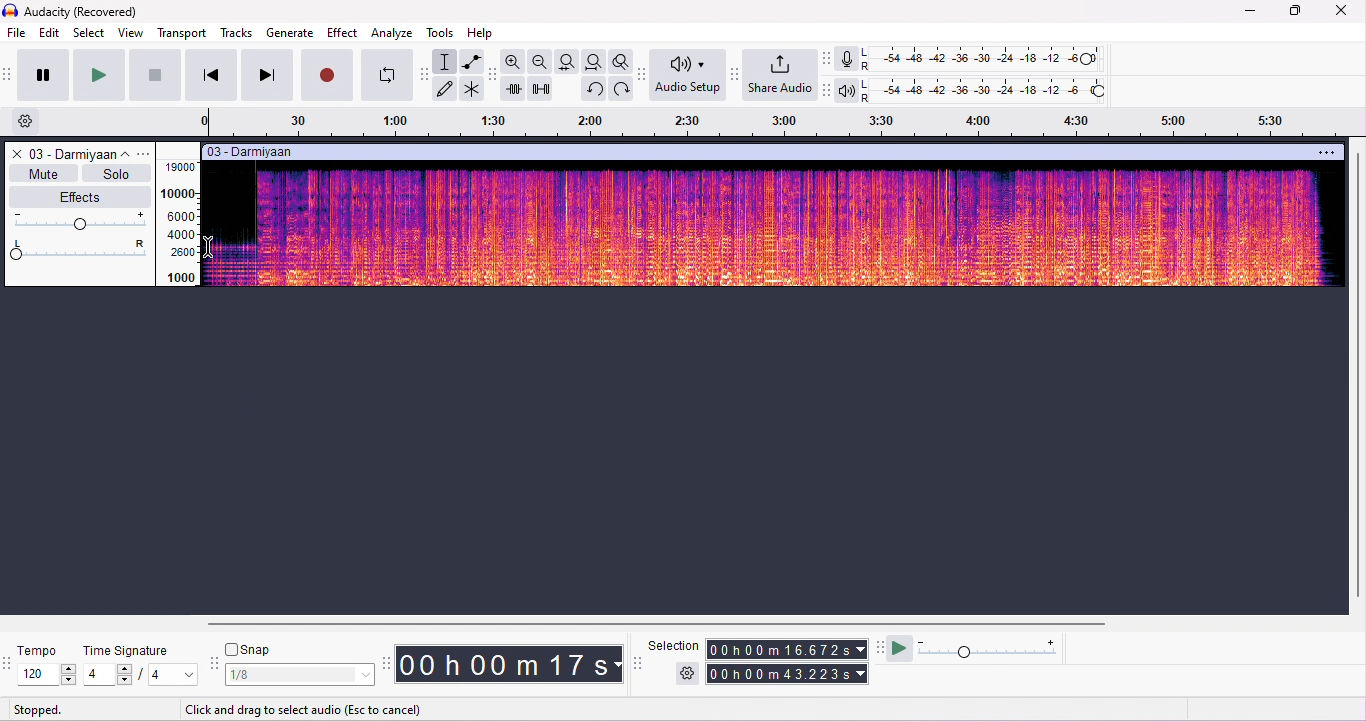 The image size is (1366, 722). I want to click on cursor, so click(210, 247).